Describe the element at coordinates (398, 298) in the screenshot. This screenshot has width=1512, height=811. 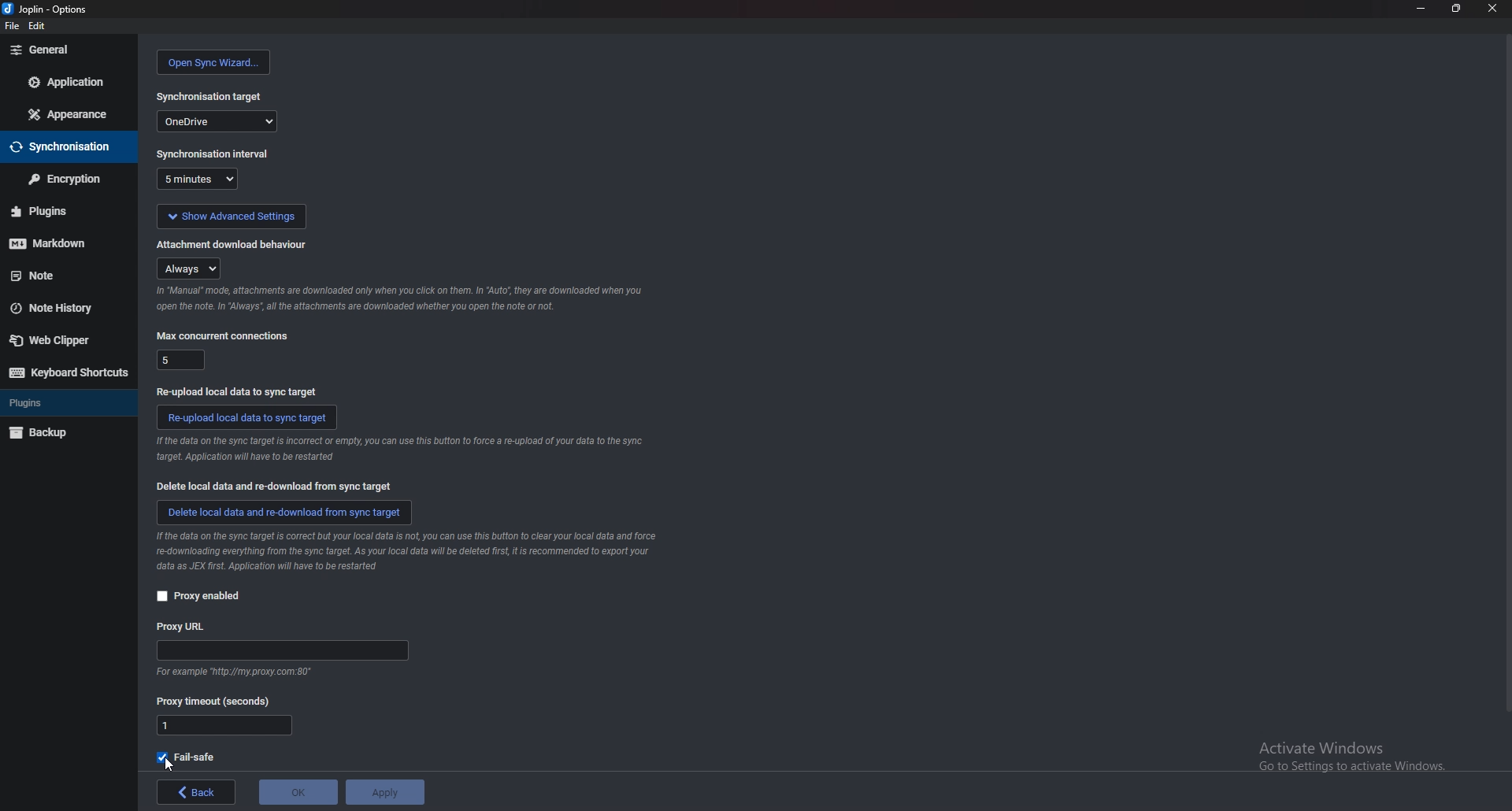
I see `info` at that location.